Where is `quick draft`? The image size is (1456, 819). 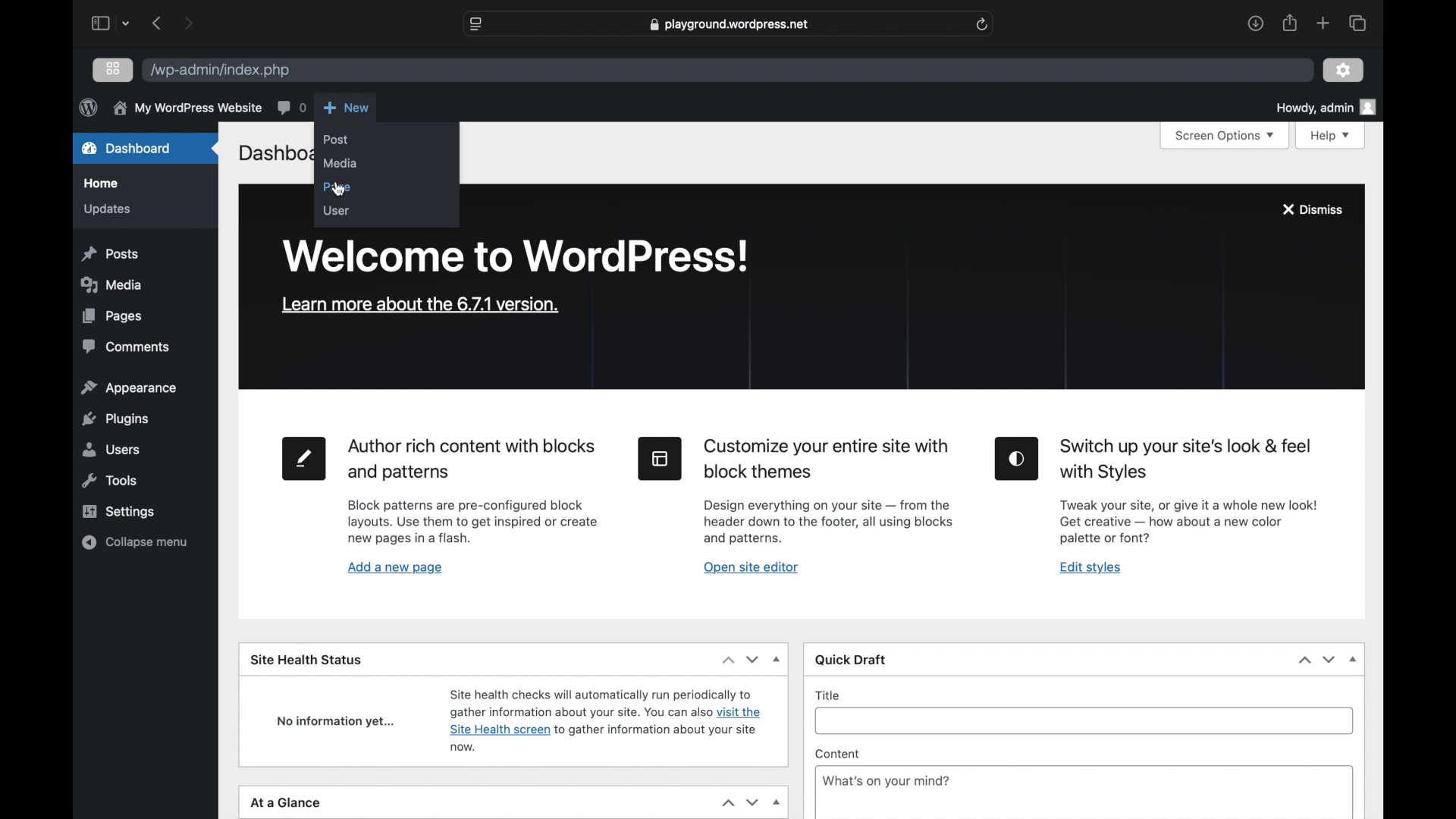 quick draft is located at coordinates (851, 659).